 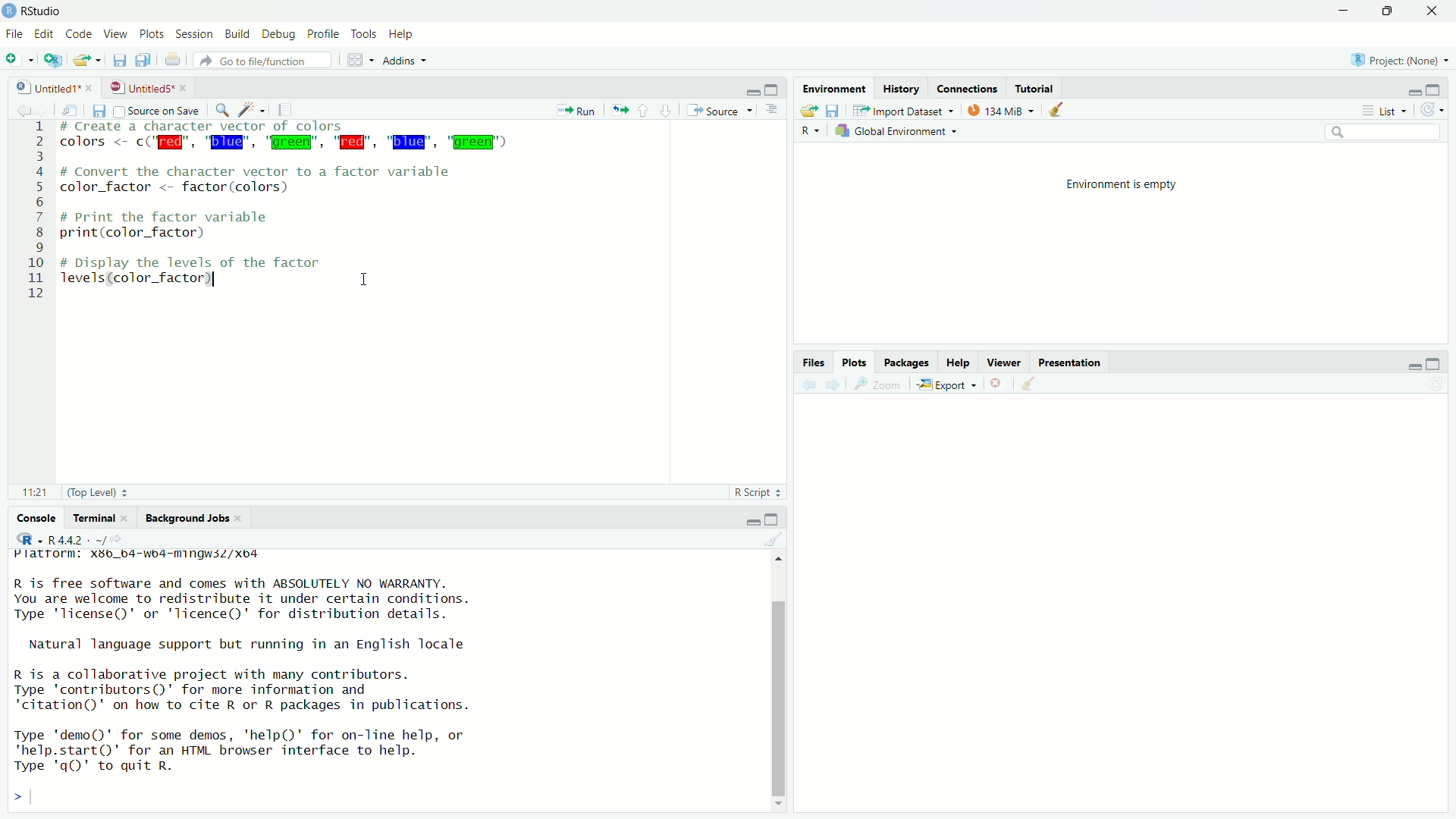 I want to click on Tutorial, so click(x=1034, y=89).